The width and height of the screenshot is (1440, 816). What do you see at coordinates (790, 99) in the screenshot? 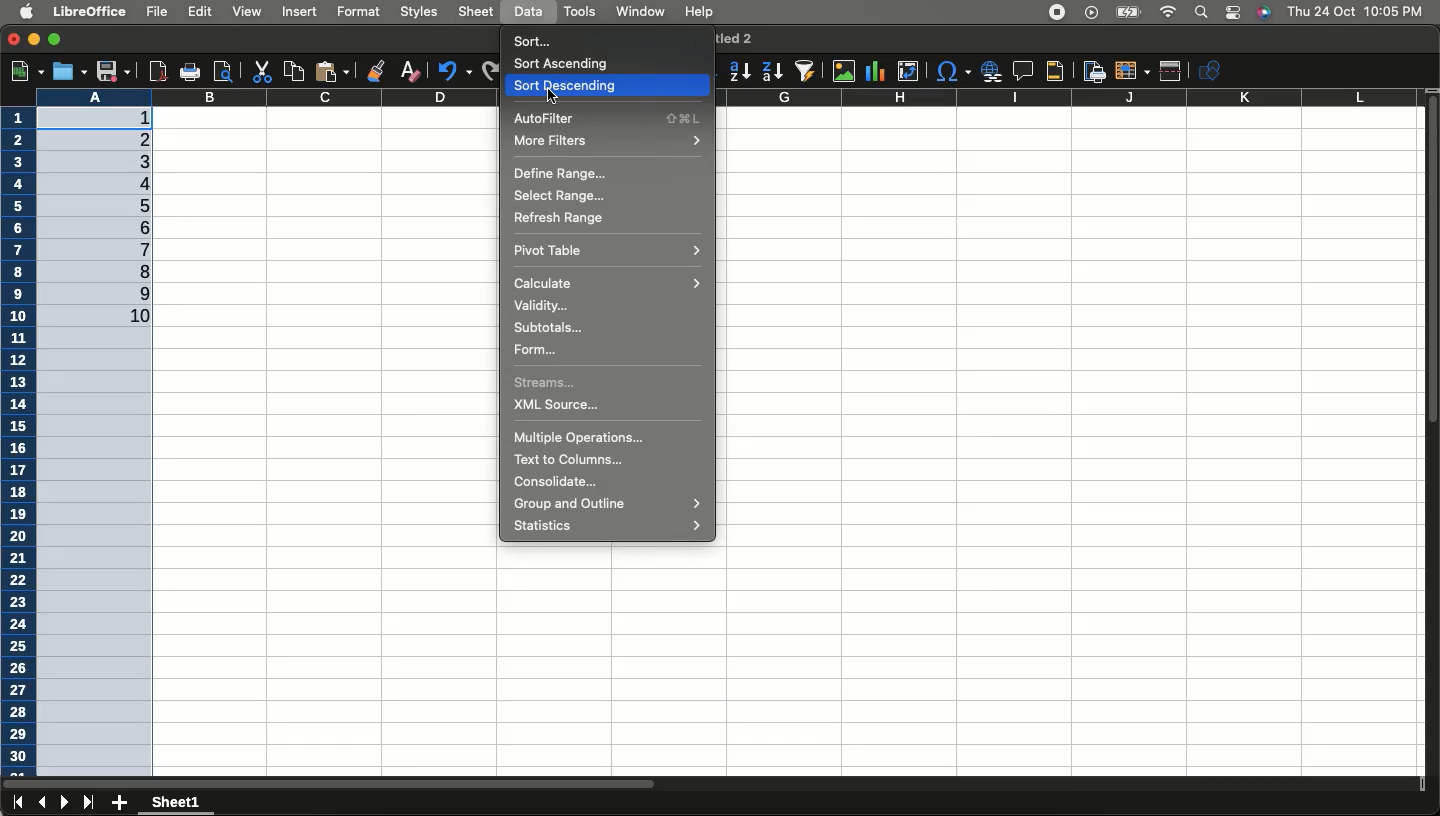
I see `Column` at bounding box center [790, 99].